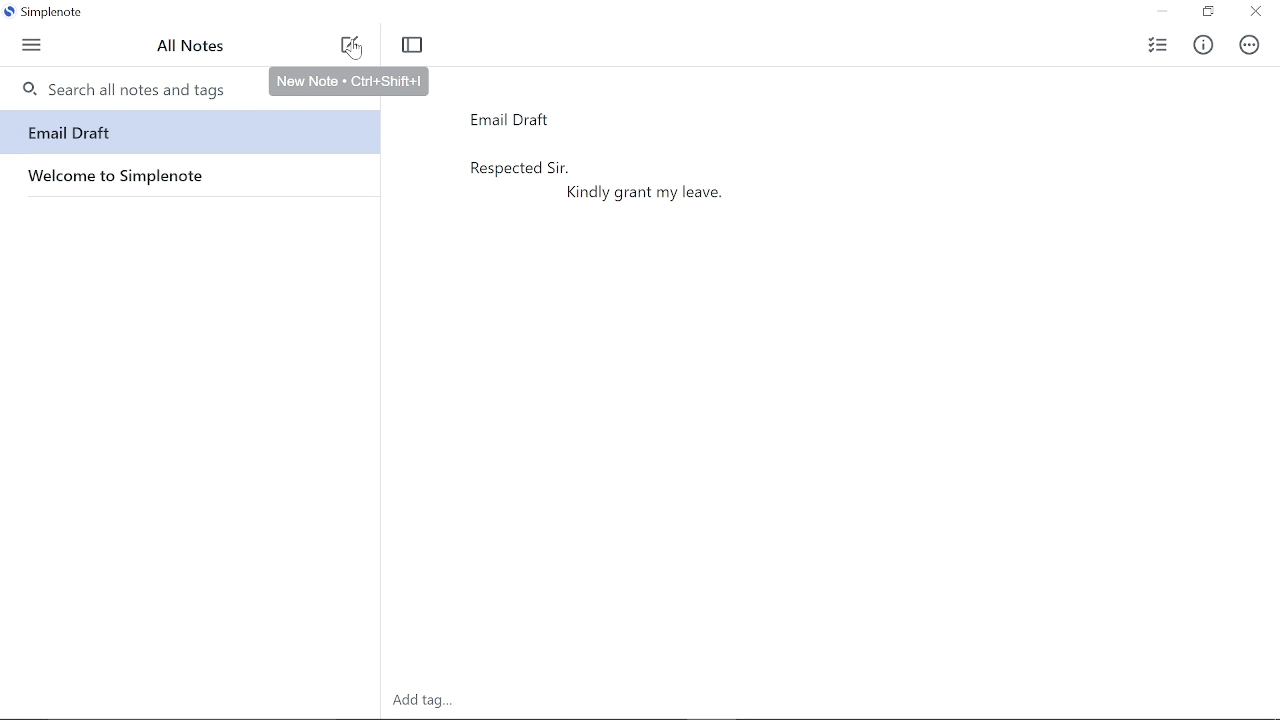  What do you see at coordinates (1256, 13) in the screenshot?
I see `Close` at bounding box center [1256, 13].